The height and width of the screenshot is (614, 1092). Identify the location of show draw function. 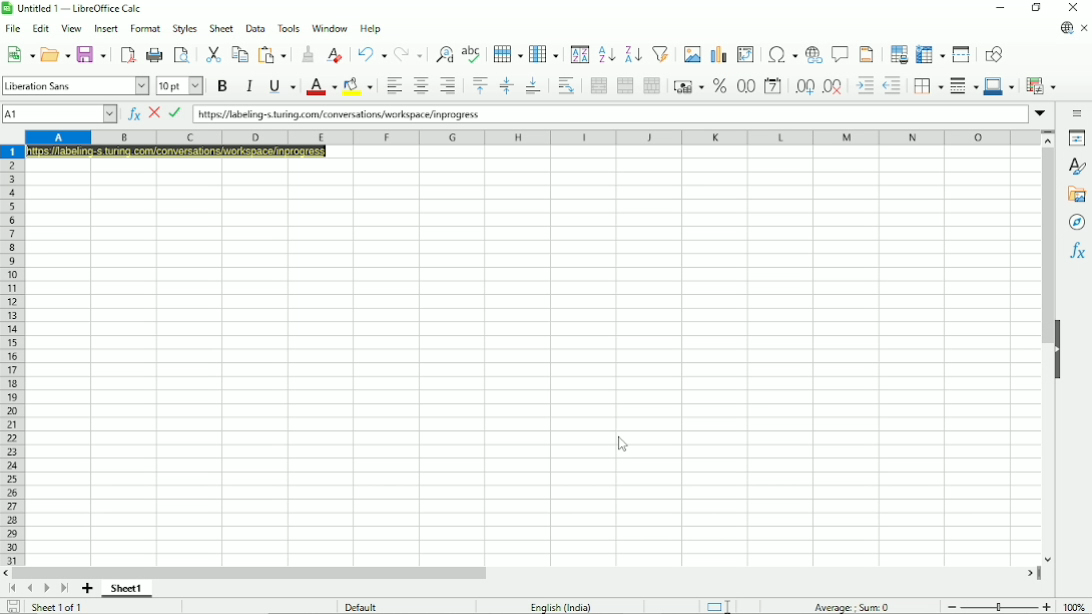
(993, 53).